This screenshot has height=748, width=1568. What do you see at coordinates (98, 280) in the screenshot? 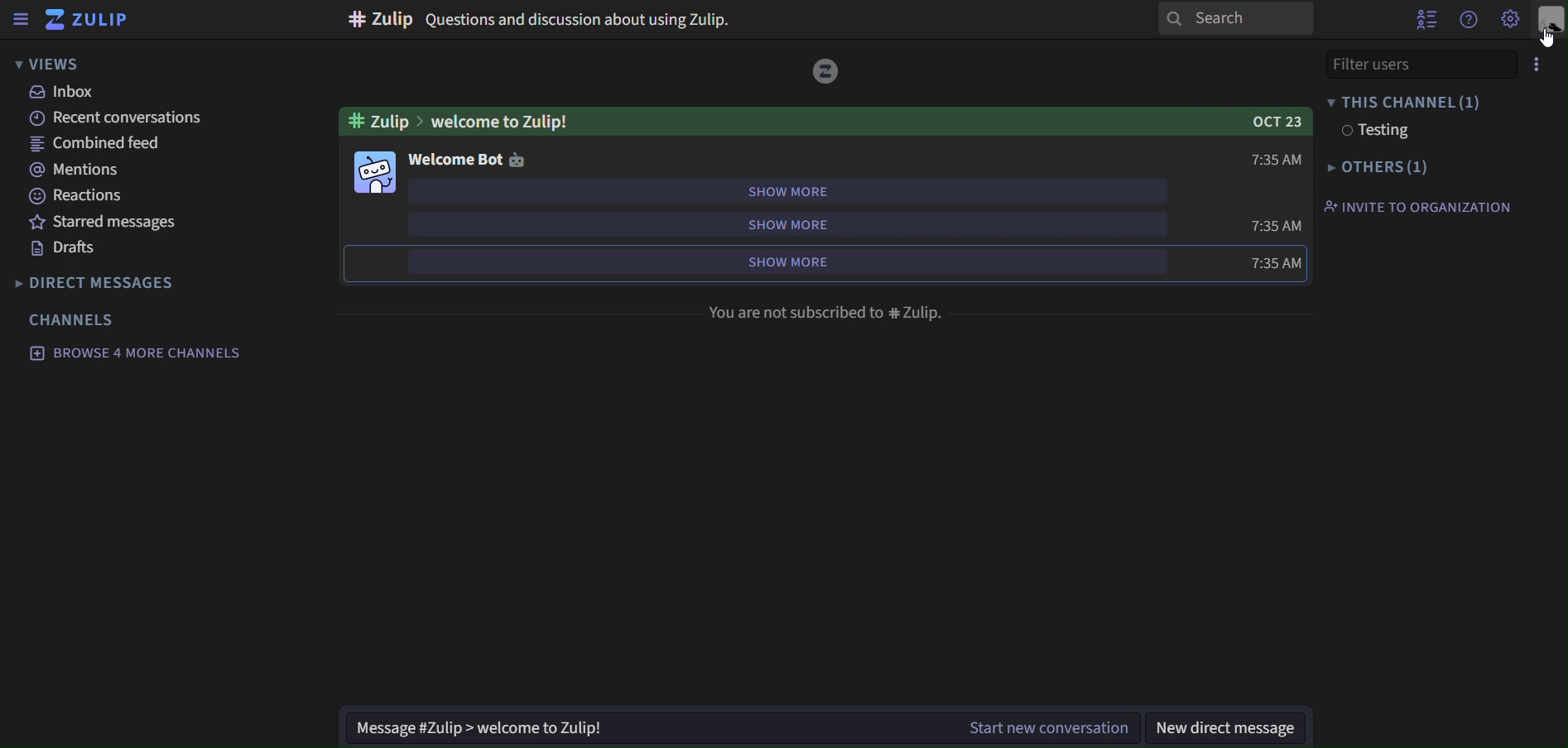
I see `direct messages` at bounding box center [98, 280].